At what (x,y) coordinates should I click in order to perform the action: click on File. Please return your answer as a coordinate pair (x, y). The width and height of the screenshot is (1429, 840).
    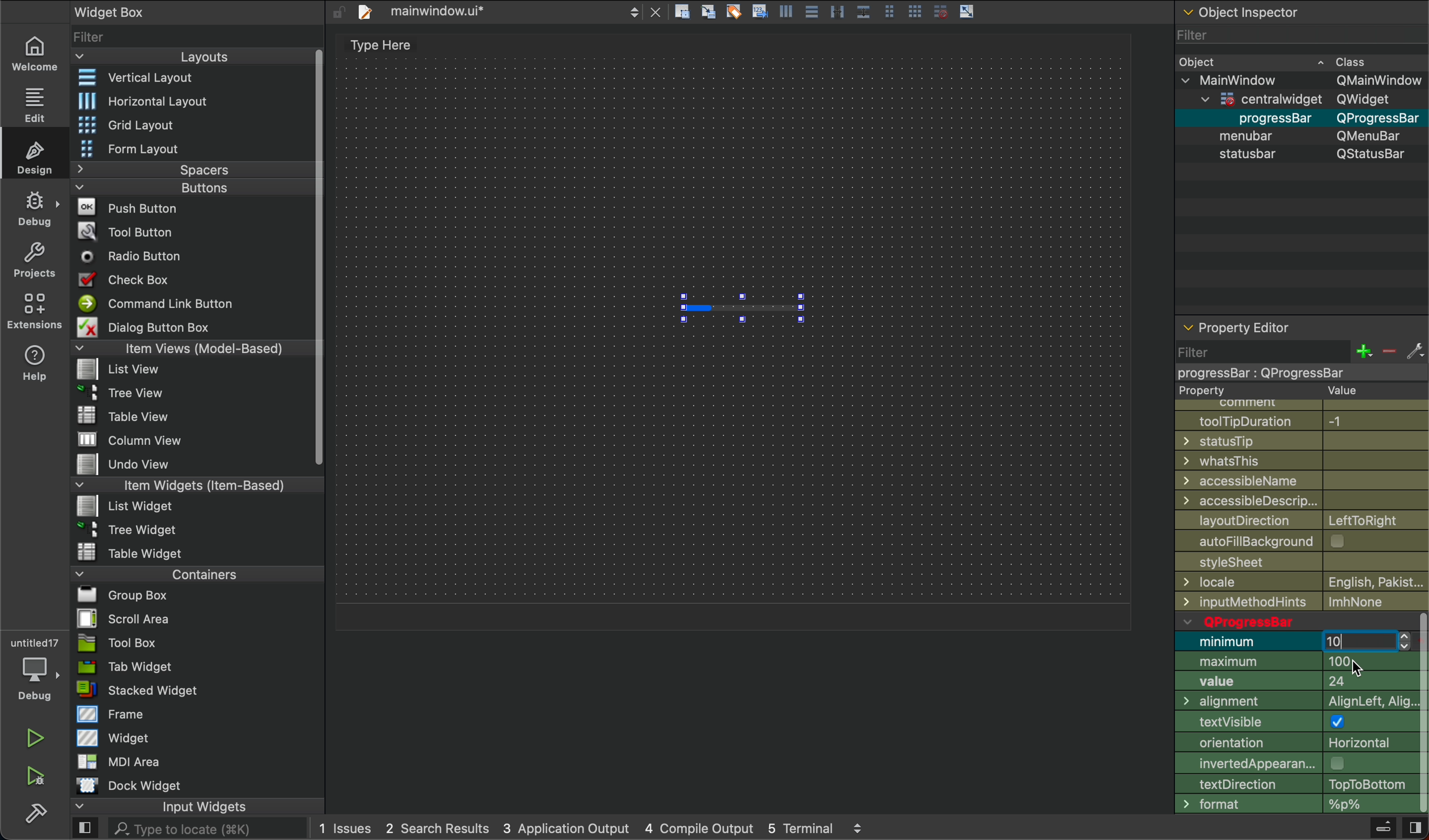
    Looking at the image, I should click on (116, 595).